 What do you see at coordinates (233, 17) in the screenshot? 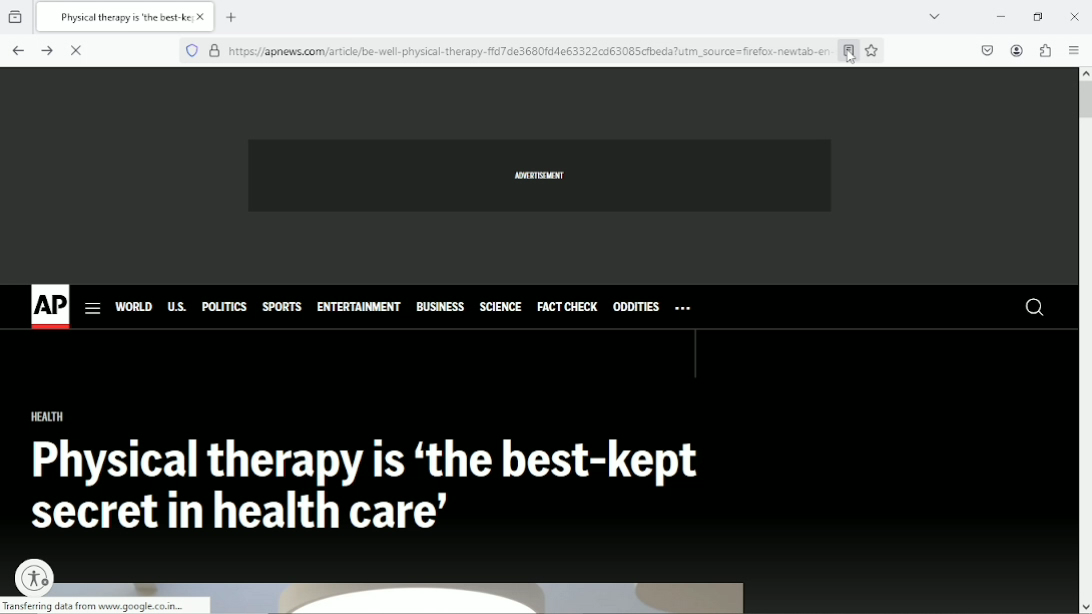
I see `new tab` at bounding box center [233, 17].